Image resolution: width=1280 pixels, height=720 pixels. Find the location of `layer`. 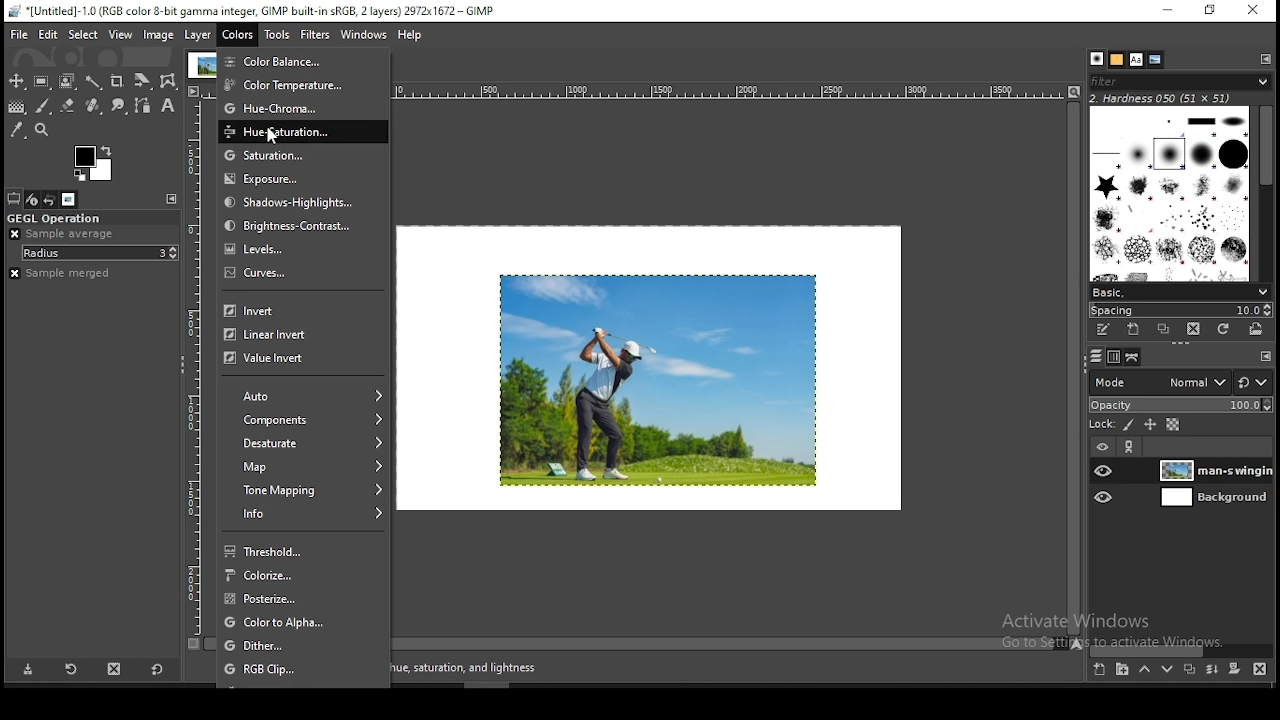

layer is located at coordinates (1216, 500).